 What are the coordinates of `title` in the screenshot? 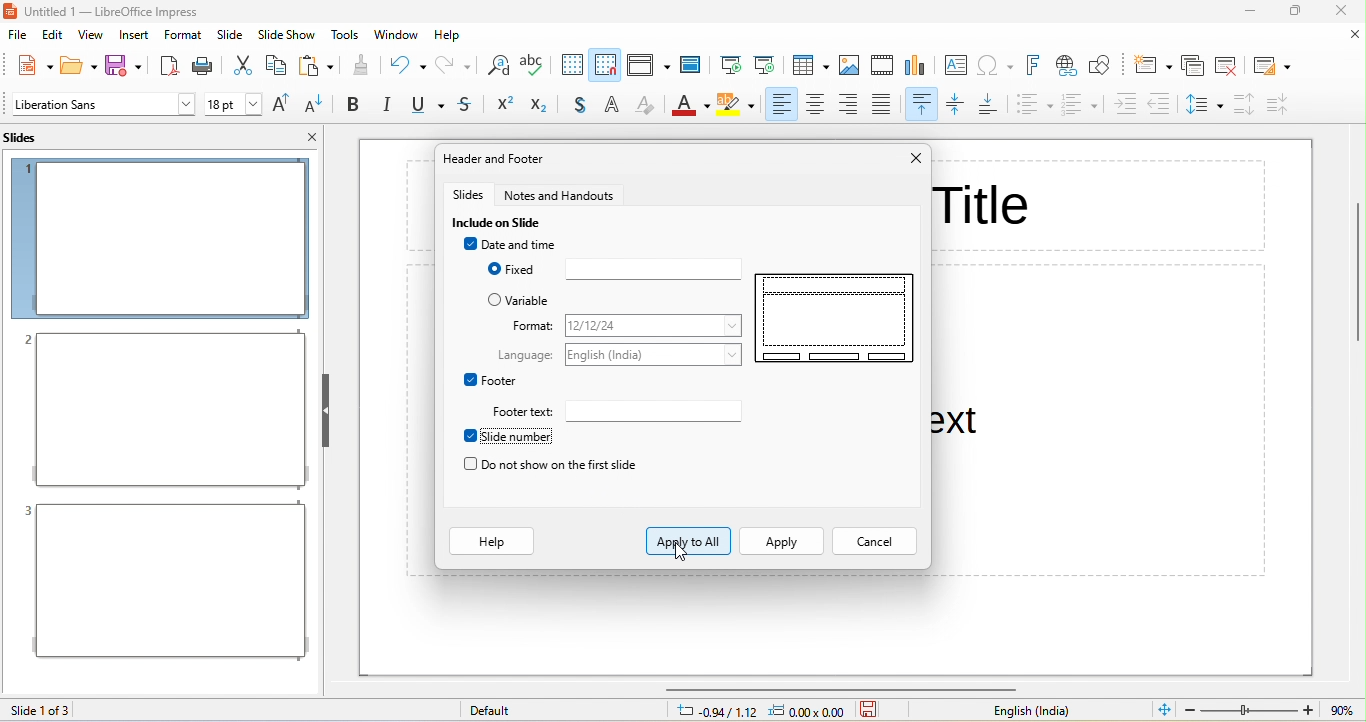 It's located at (128, 12).